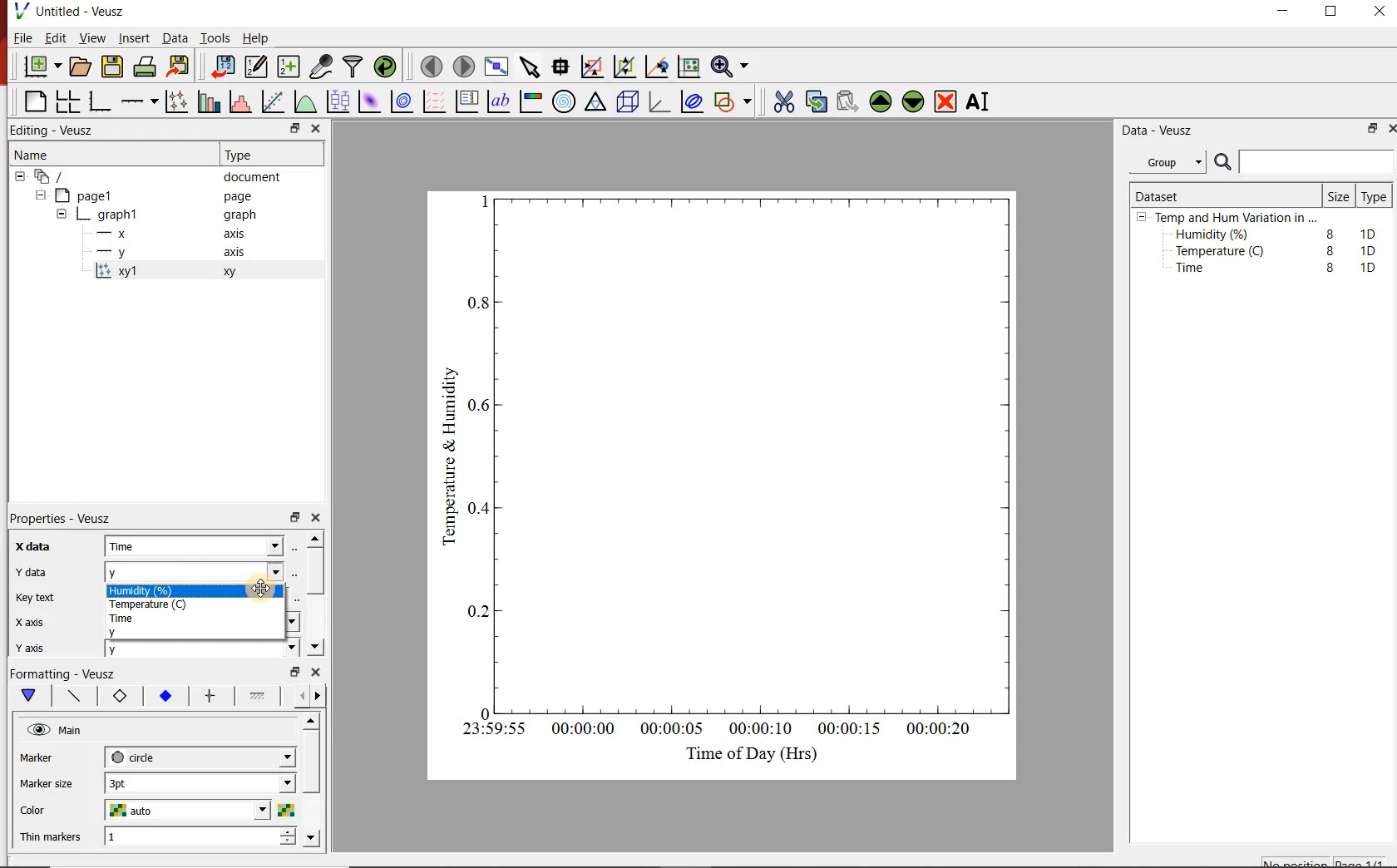  Describe the element at coordinates (69, 515) in the screenshot. I see `Properties - Veusz` at that location.